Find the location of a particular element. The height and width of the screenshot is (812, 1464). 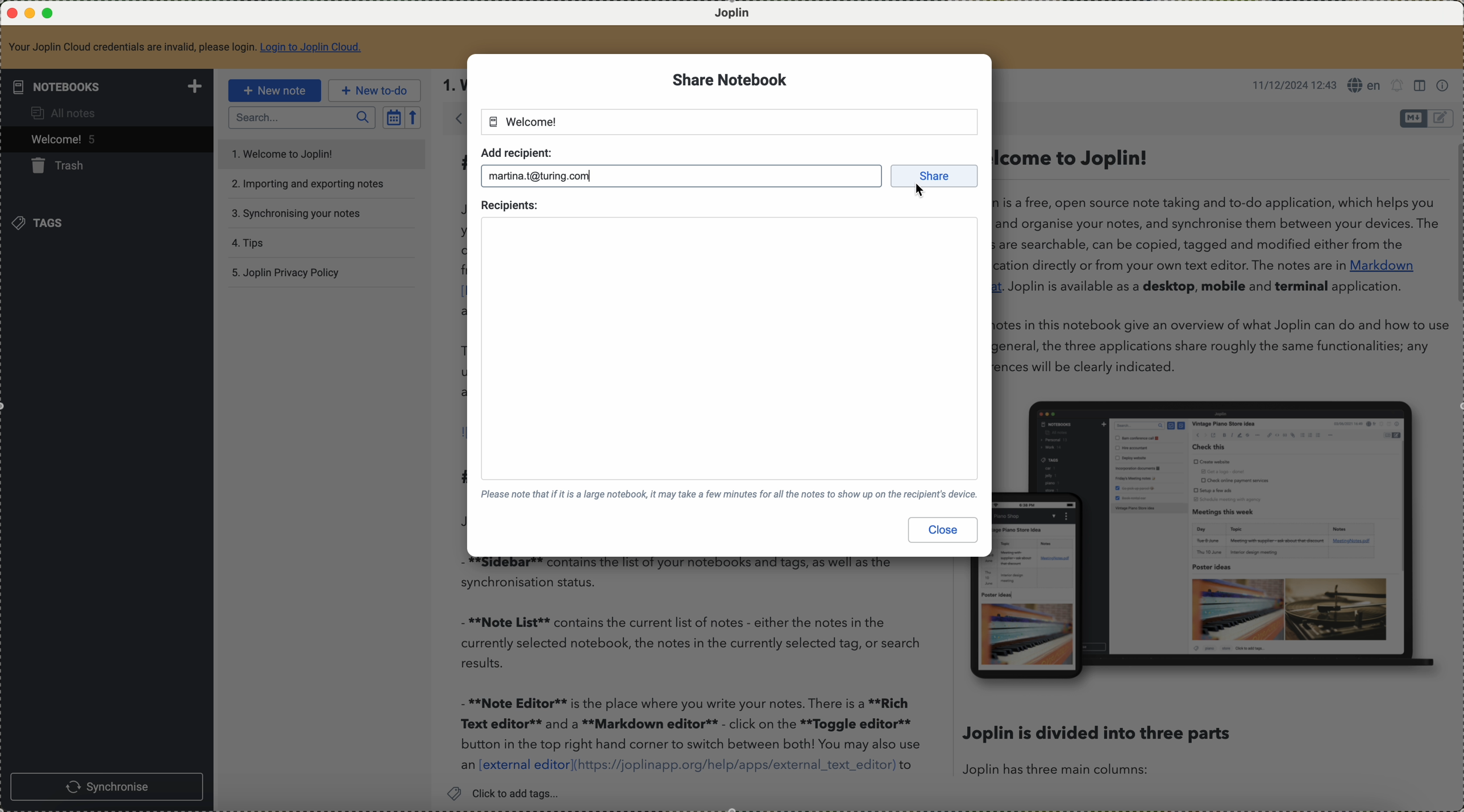

minimize Joplin is located at coordinates (30, 14).